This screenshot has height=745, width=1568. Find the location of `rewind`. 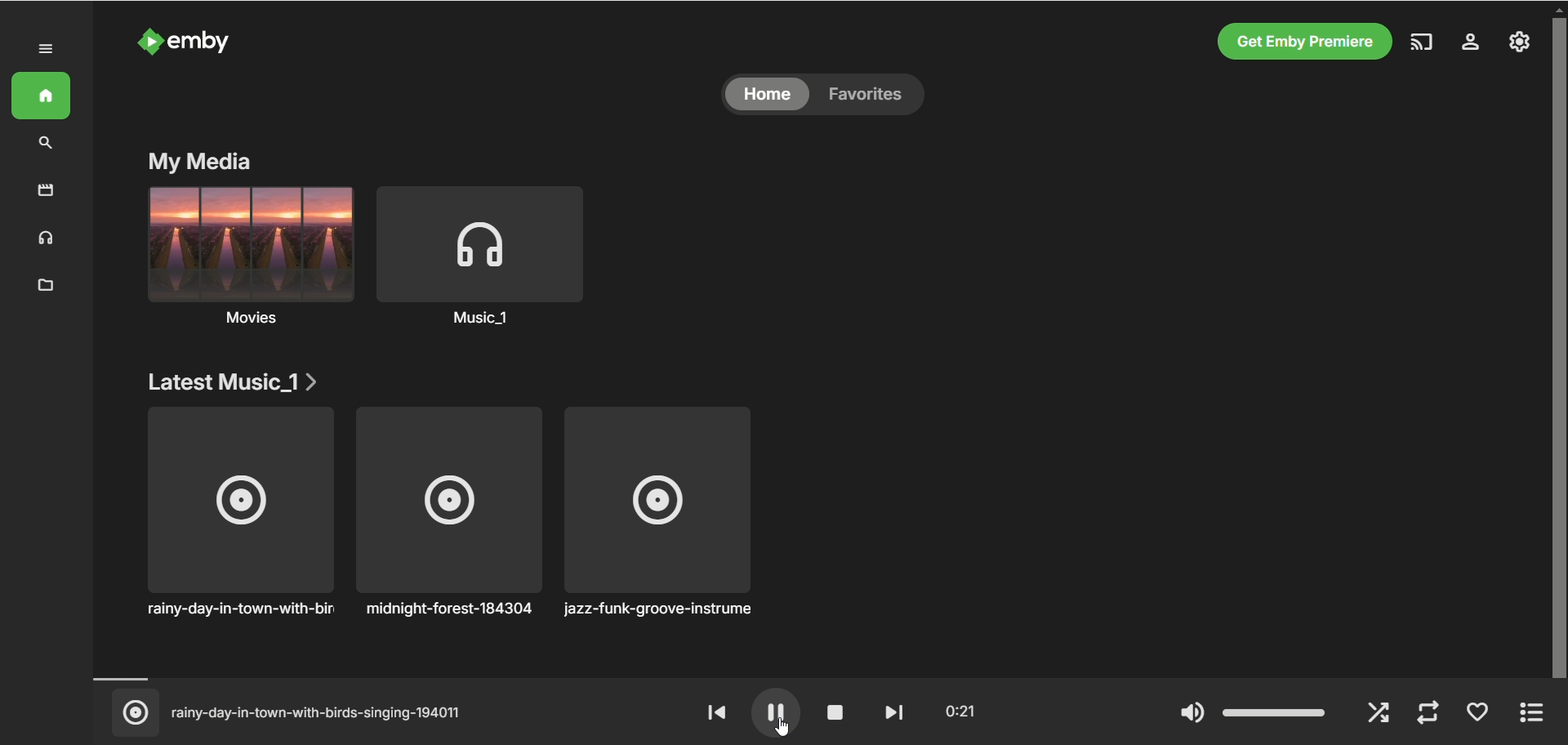

rewind is located at coordinates (714, 710).